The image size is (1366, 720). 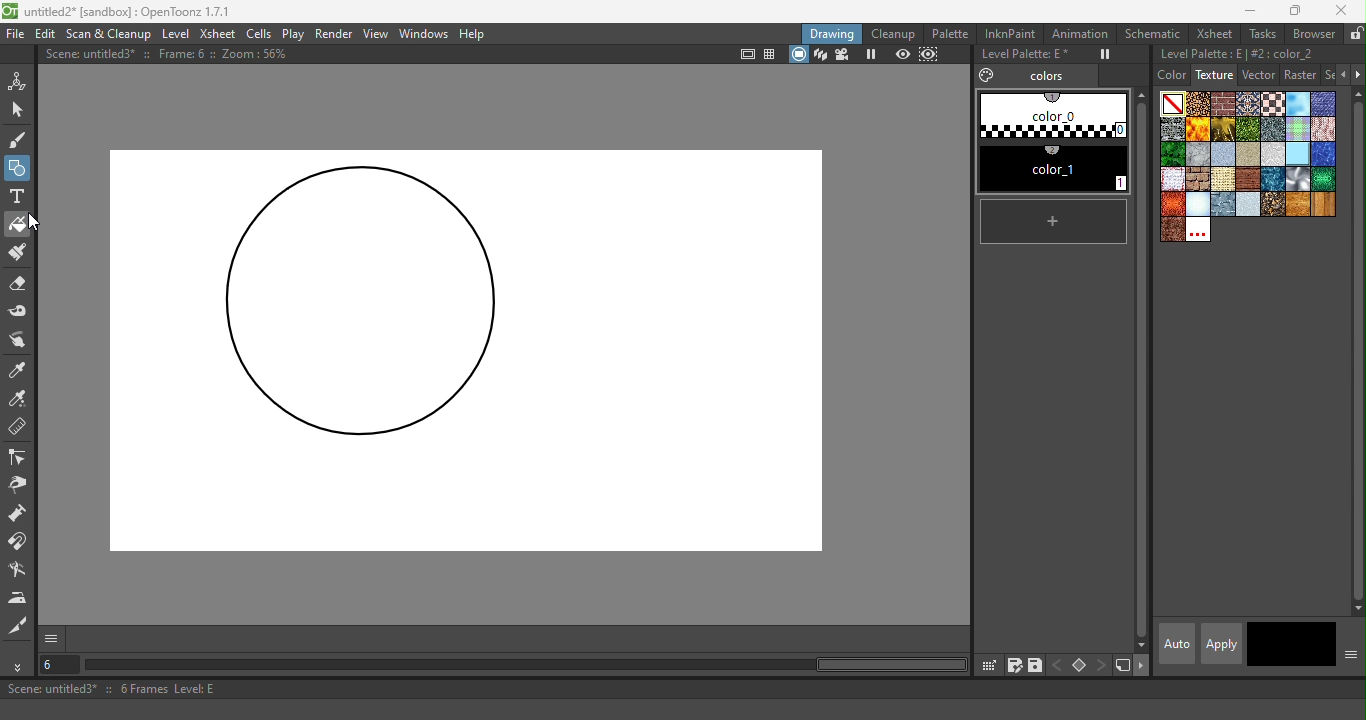 What do you see at coordinates (1298, 103) in the screenshot?
I see `Cloud.bmp` at bounding box center [1298, 103].